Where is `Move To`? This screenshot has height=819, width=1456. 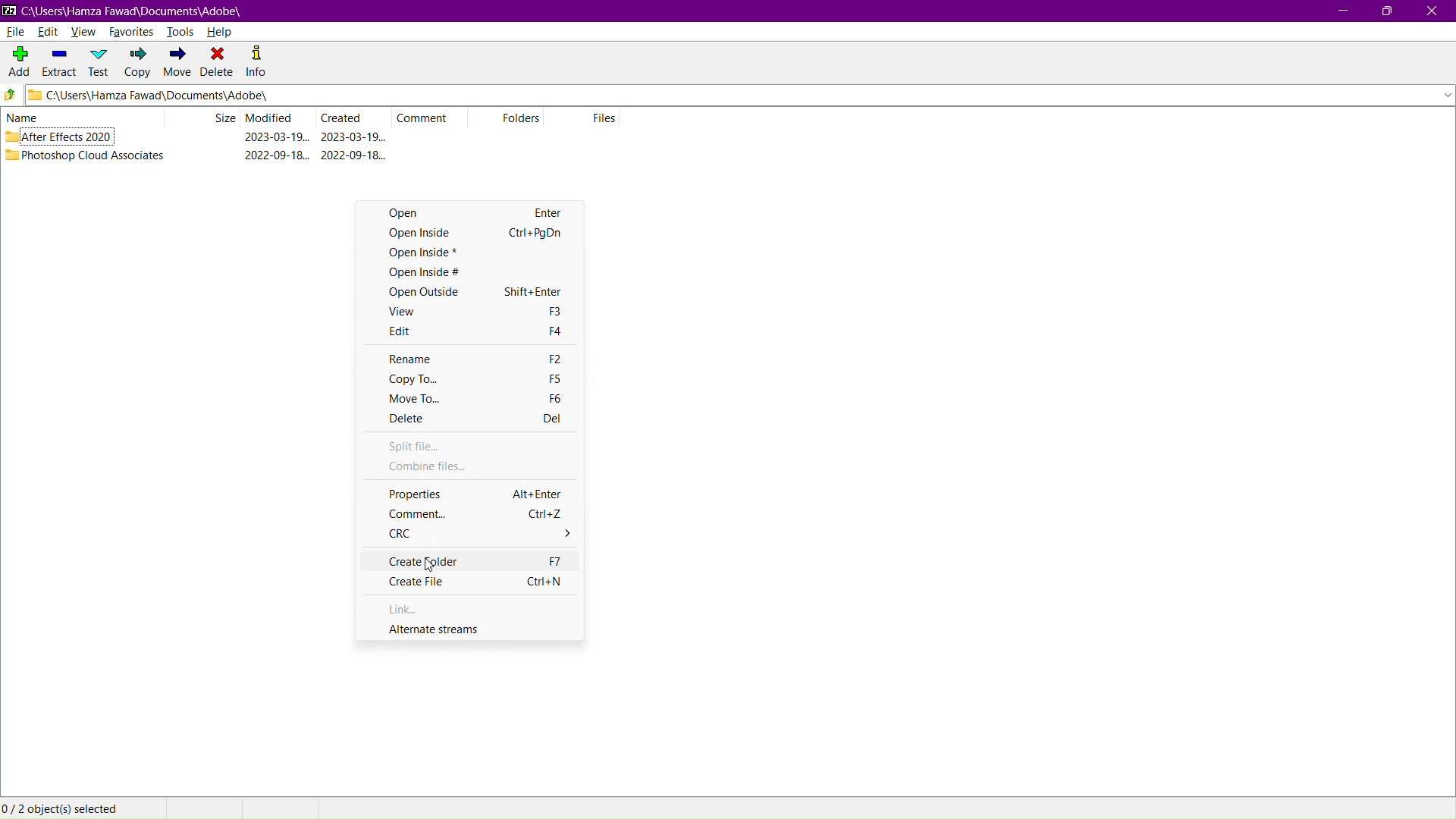
Move To is located at coordinates (468, 400).